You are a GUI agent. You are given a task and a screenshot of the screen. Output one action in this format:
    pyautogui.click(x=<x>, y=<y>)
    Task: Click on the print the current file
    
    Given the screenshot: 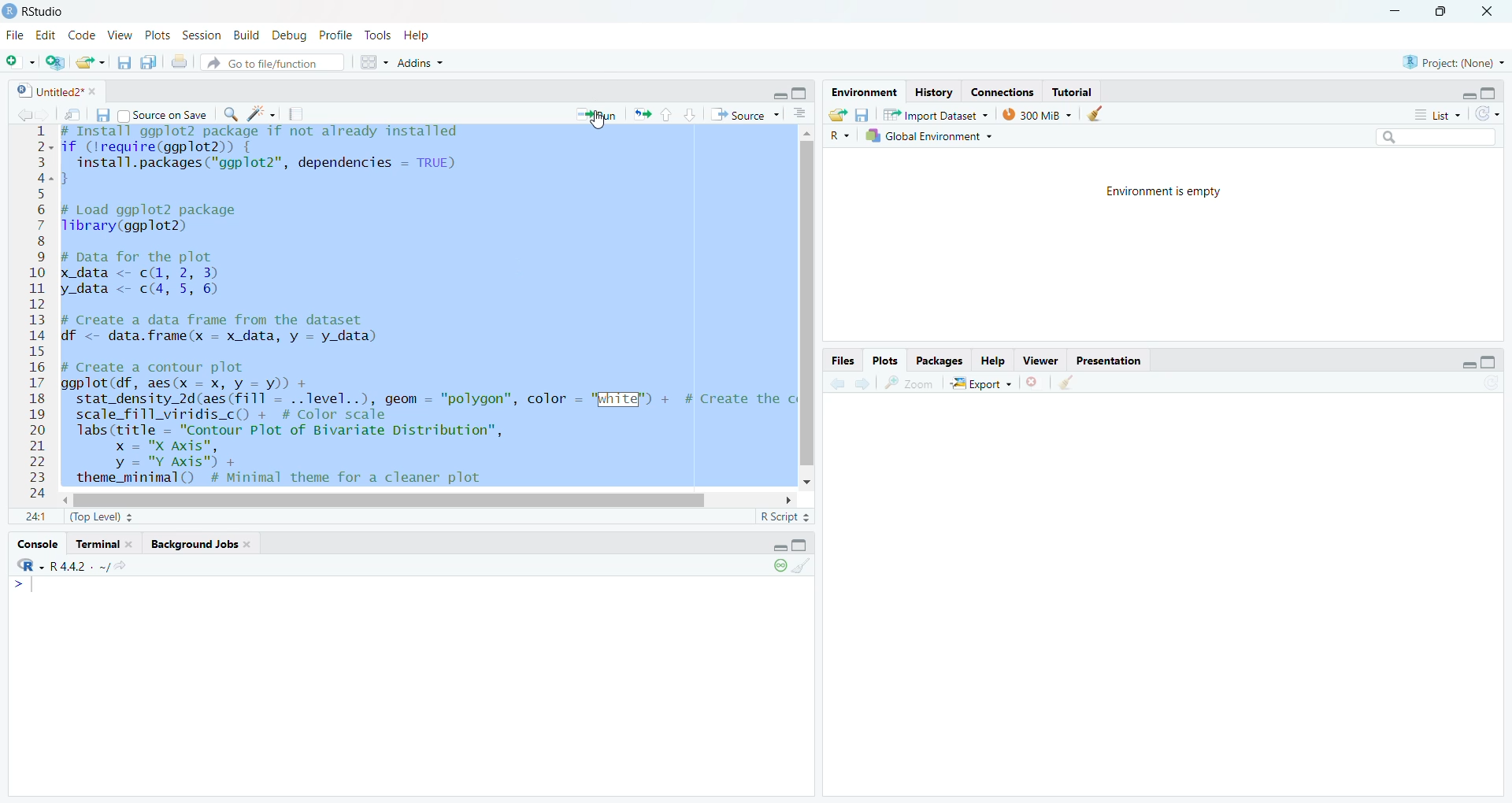 What is the action you would take?
    pyautogui.click(x=176, y=61)
    